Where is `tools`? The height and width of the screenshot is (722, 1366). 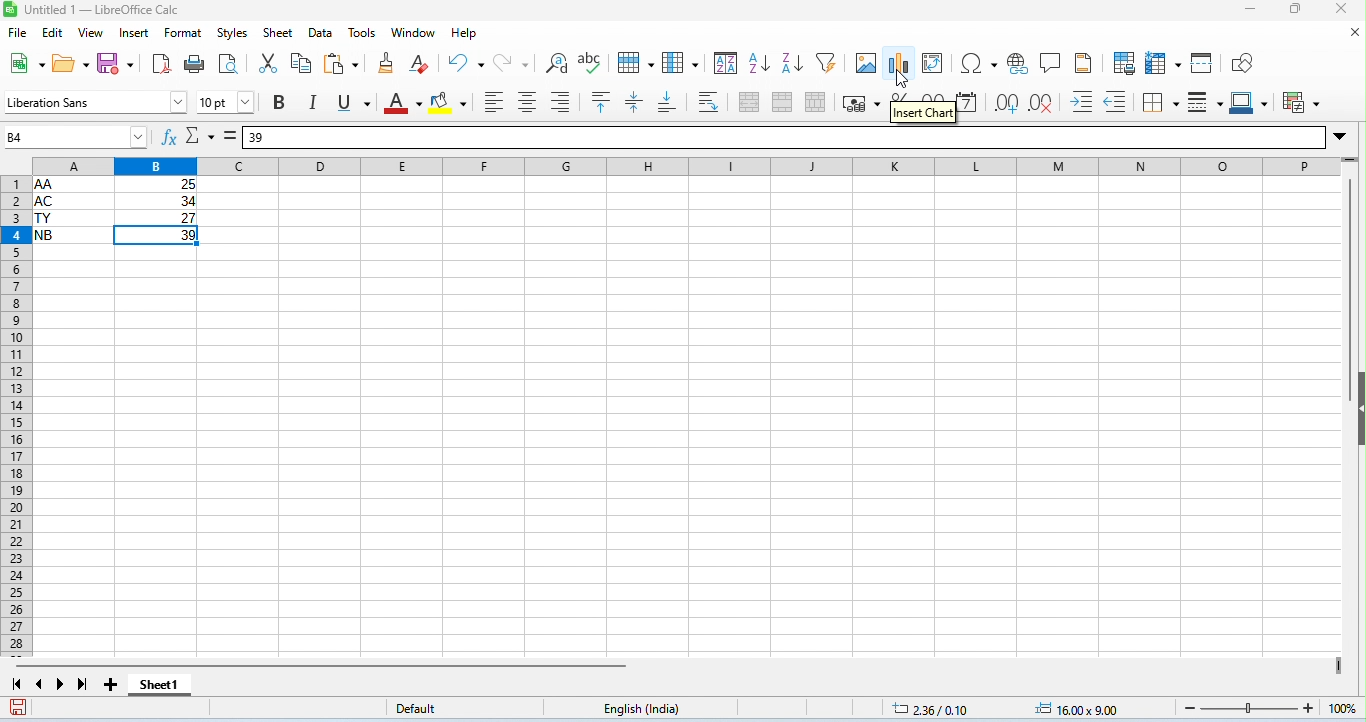
tools is located at coordinates (364, 32).